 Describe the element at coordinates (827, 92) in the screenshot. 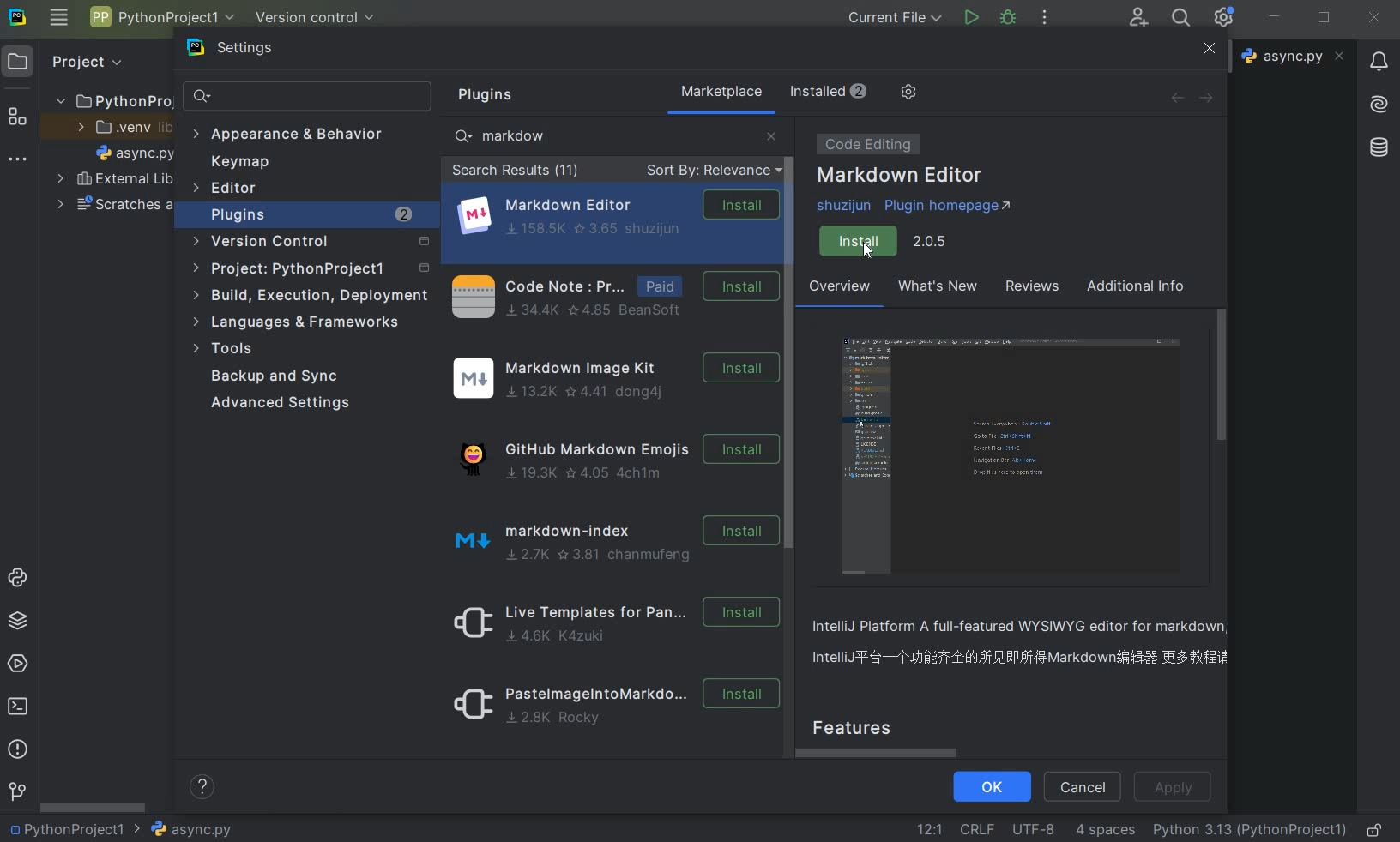

I see `installed (2)` at that location.